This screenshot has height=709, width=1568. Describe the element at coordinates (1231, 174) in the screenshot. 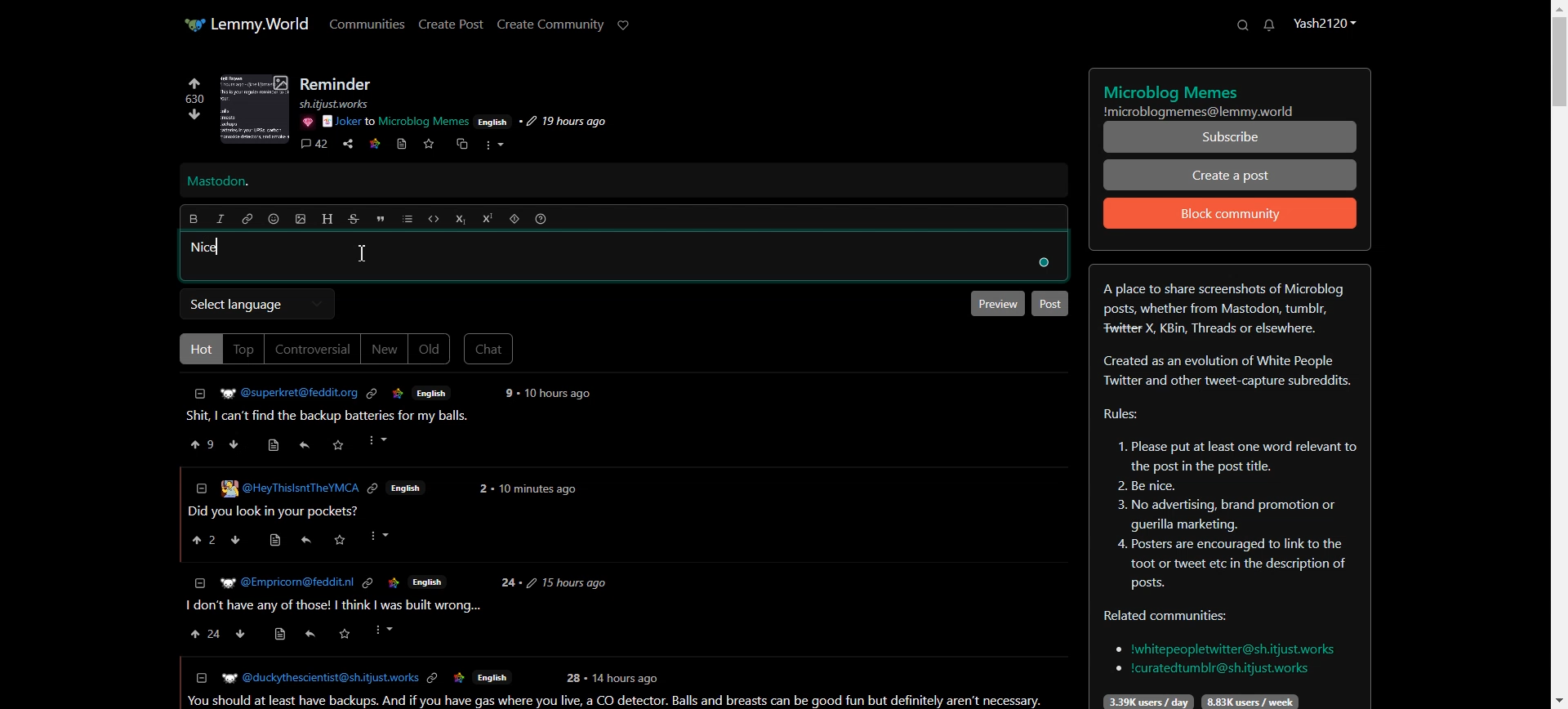

I see `Create a post` at that location.